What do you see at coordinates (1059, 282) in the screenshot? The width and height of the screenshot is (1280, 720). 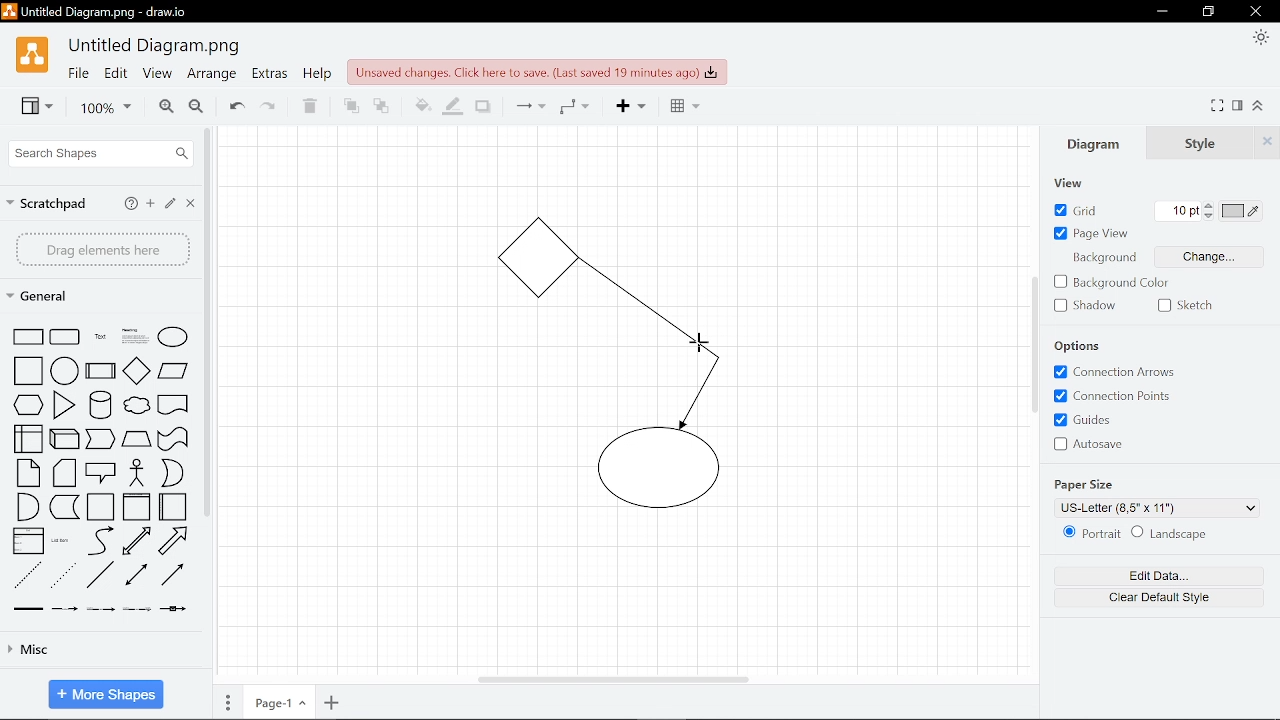 I see `Checkbox` at bounding box center [1059, 282].